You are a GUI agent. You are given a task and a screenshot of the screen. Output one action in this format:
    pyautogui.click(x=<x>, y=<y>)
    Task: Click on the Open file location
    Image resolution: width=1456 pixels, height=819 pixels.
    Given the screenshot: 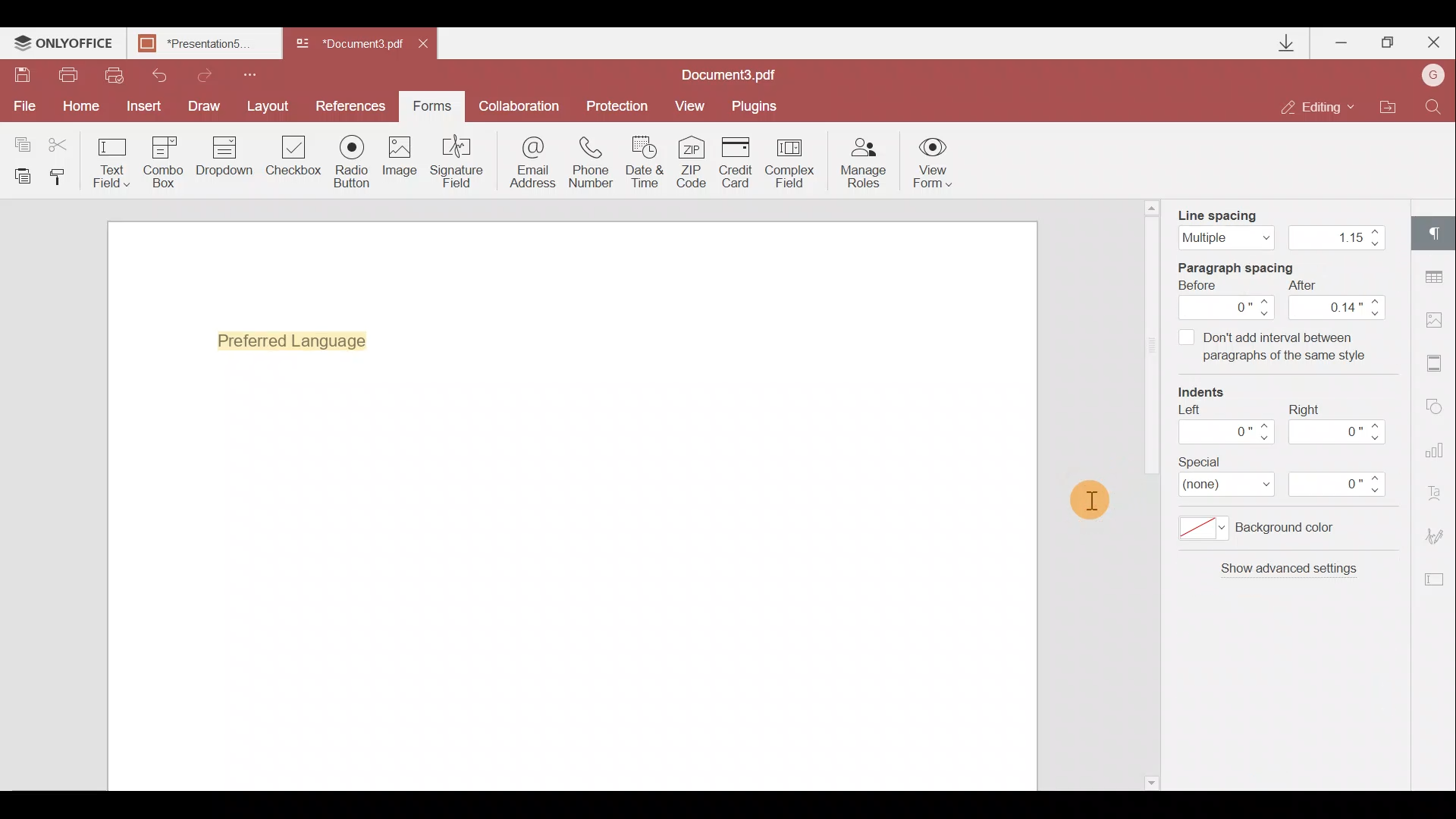 What is the action you would take?
    pyautogui.click(x=1387, y=108)
    